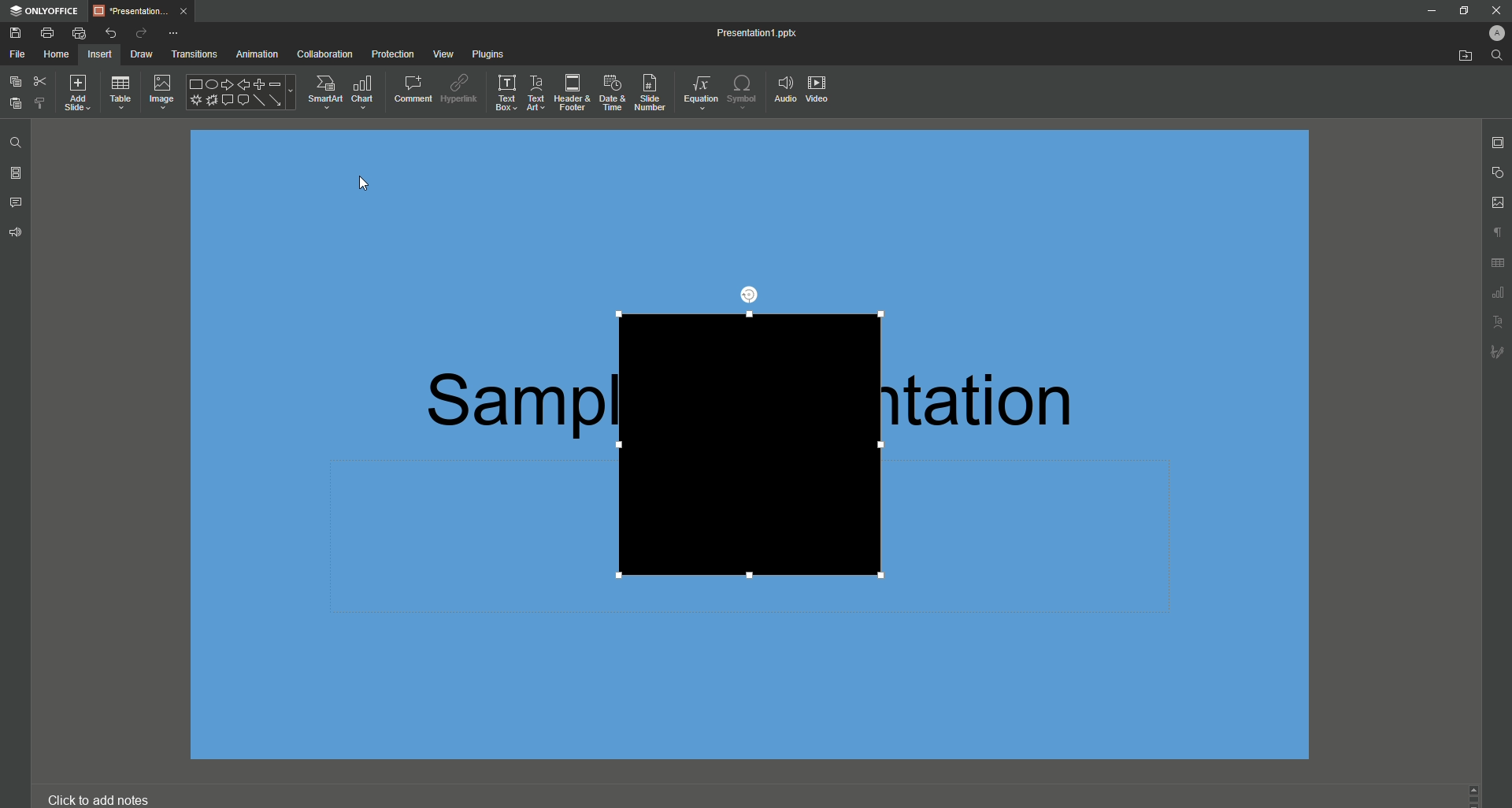  I want to click on Cursor, so click(363, 183).